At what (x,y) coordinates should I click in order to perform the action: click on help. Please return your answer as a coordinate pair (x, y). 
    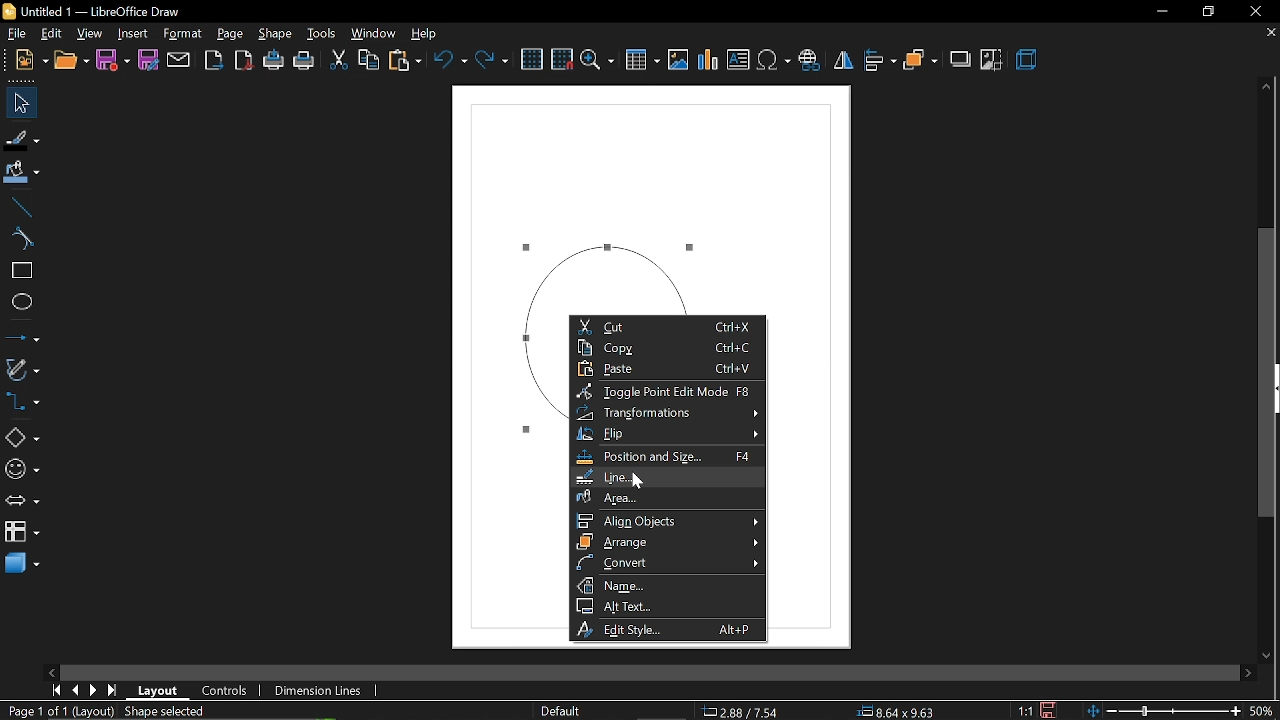
    Looking at the image, I should click on (424, 32).